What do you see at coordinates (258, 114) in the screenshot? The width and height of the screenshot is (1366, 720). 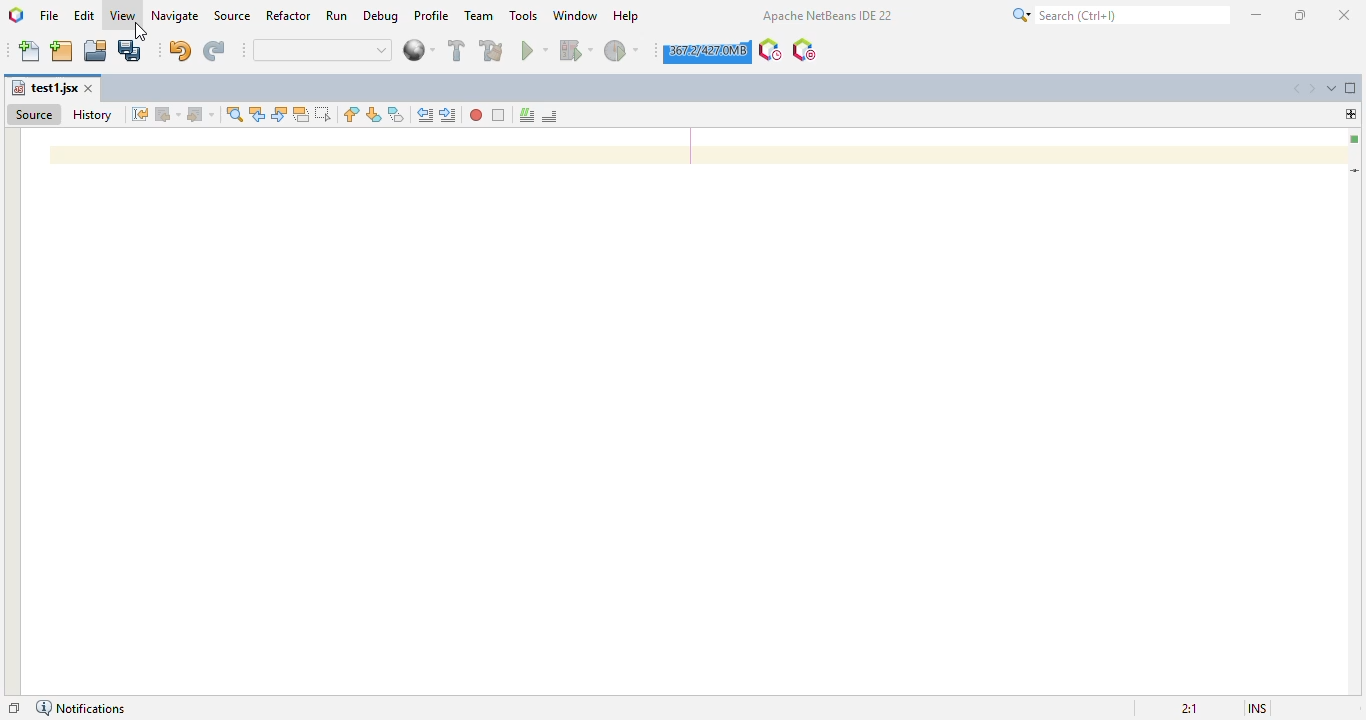 I see `find previous occurrence` at bounding box center [258, 114].